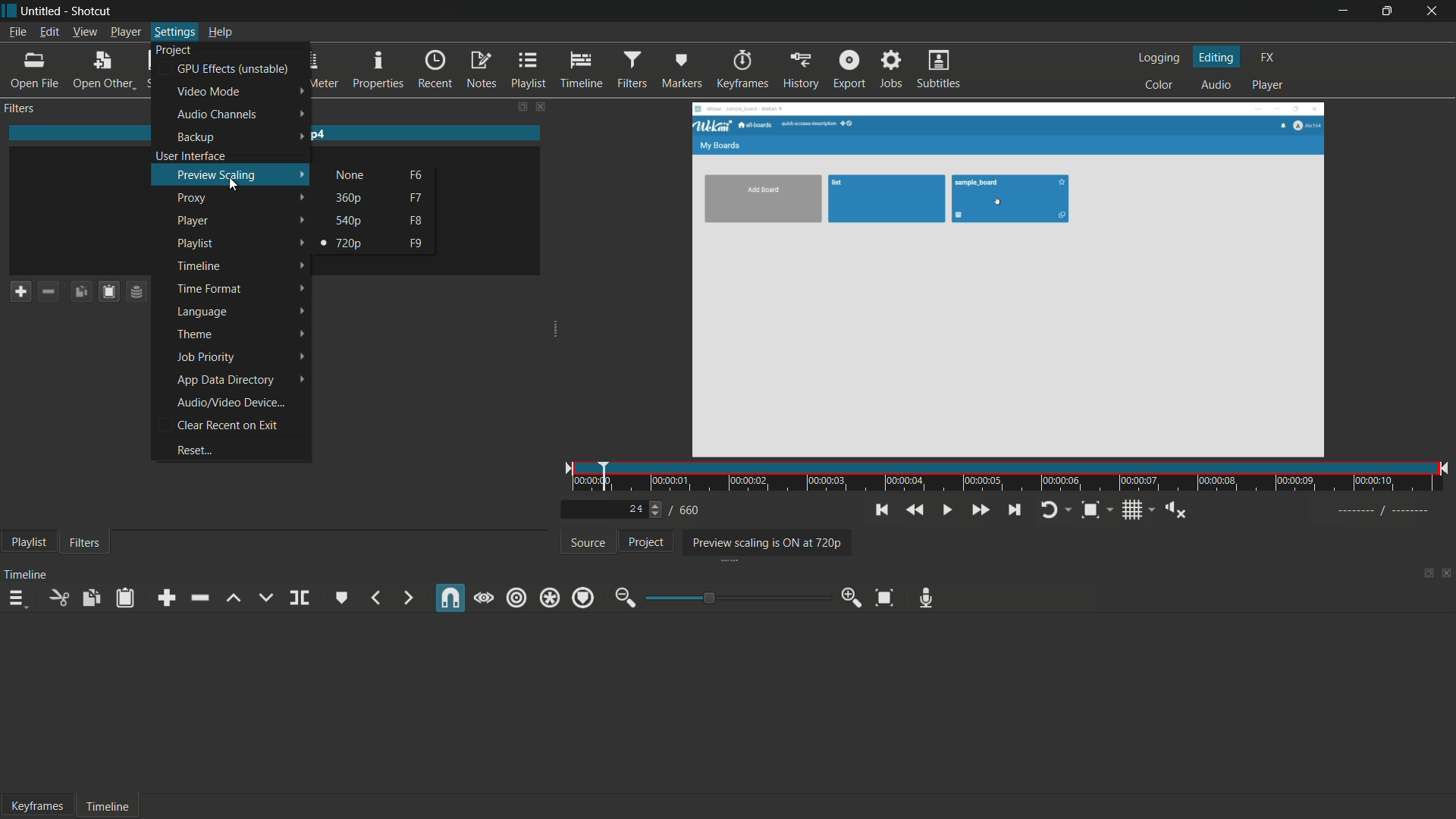  Describe the element at coordinates (736, 598) in the screenshot. I see `adjustment bar` at that location.